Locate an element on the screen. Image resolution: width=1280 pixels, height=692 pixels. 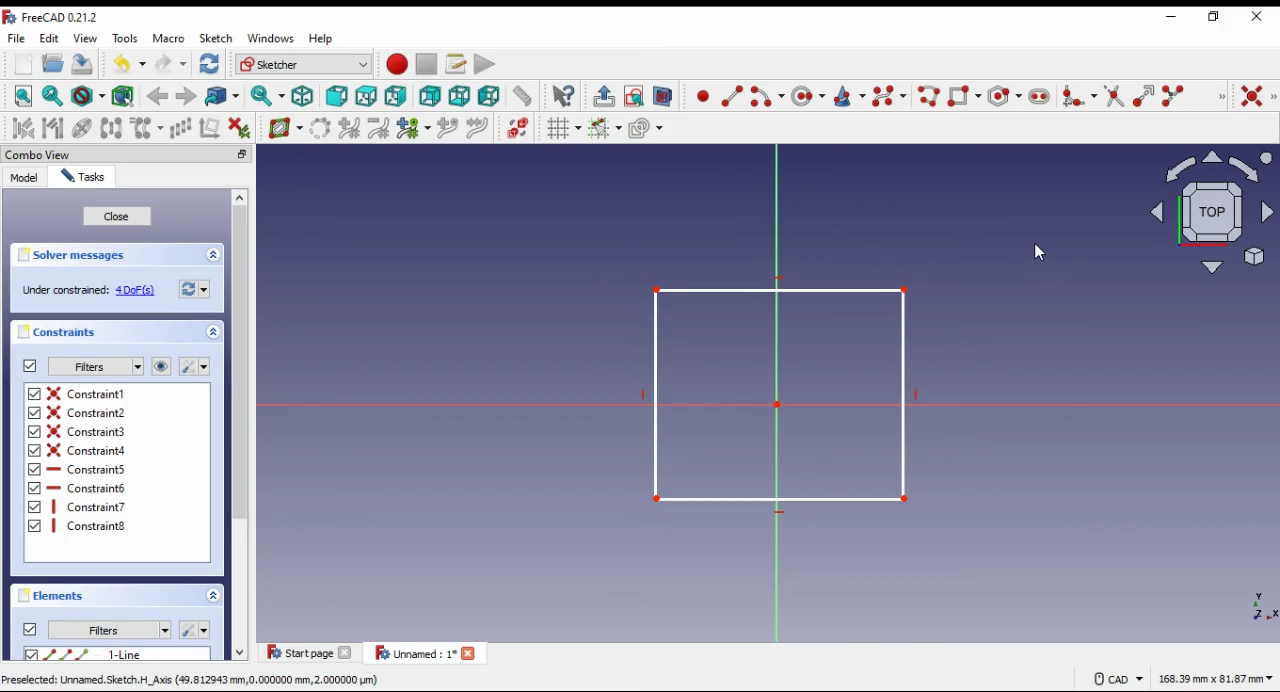
modify knot multiplicity is located at coordinates (413, 127).